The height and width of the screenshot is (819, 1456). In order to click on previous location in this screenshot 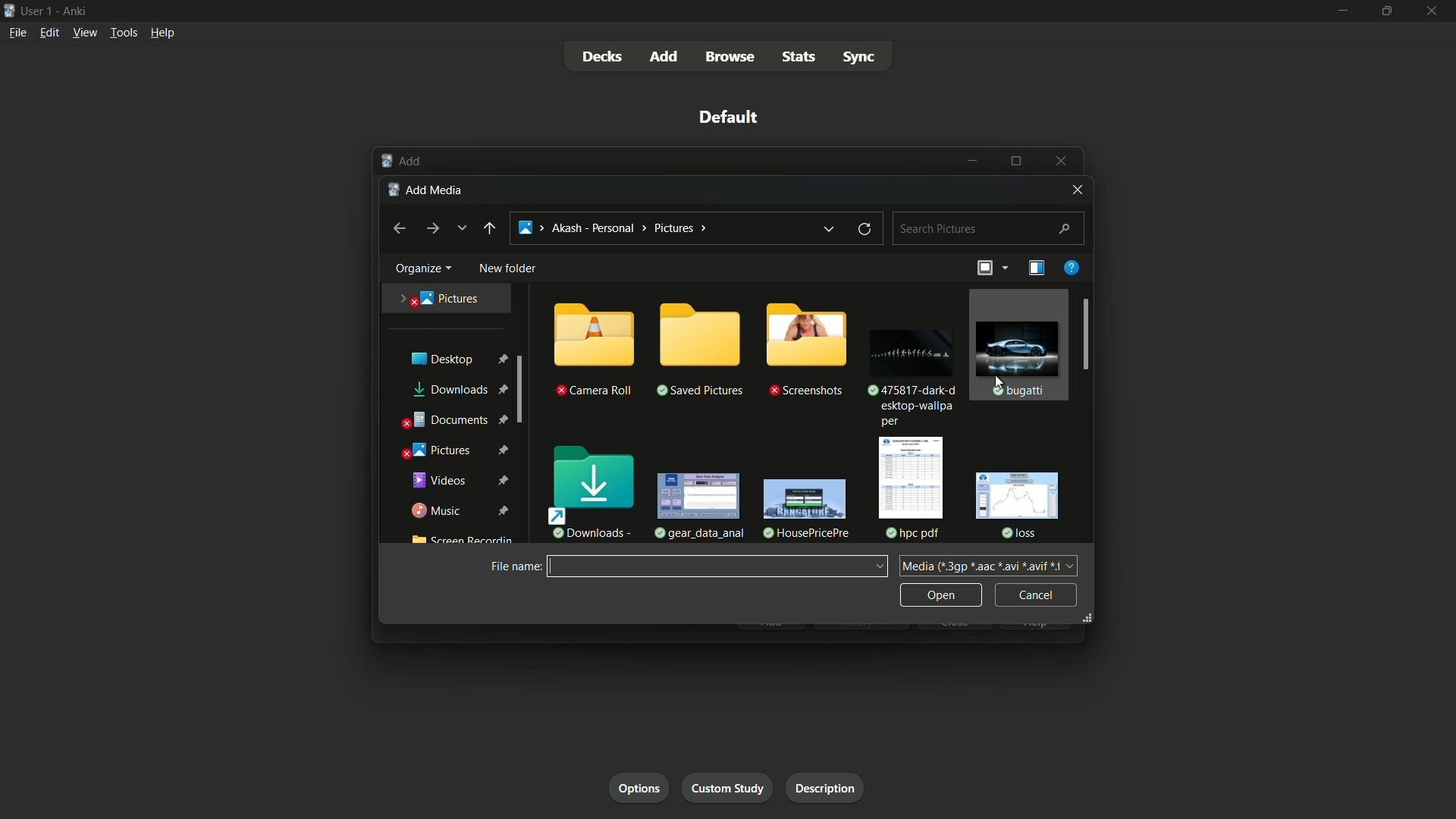, I will do `click(830, 227)`.